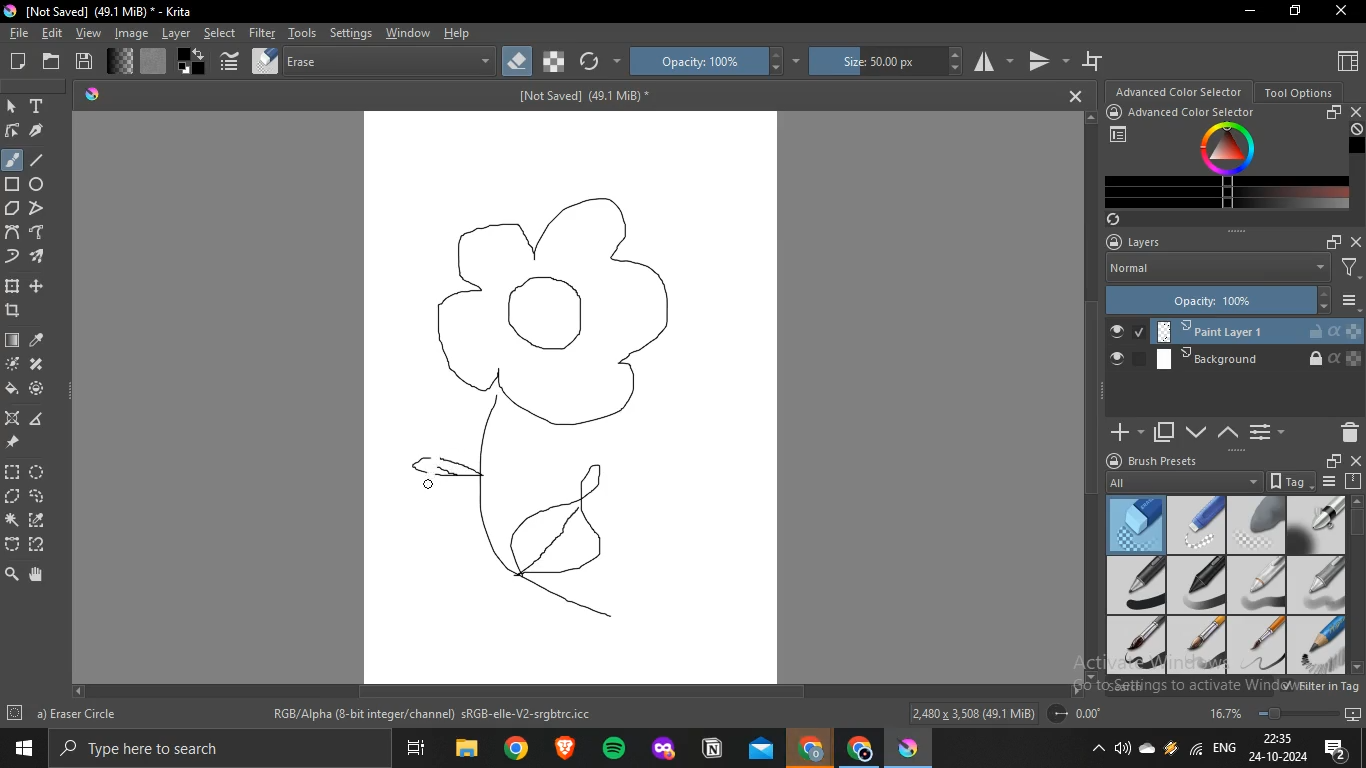 This screenshot has height=768, width=1366. What do you see at coordinates (1357, 667) in the screenshot?
I see `Down` at bounding box center [1357, 667].